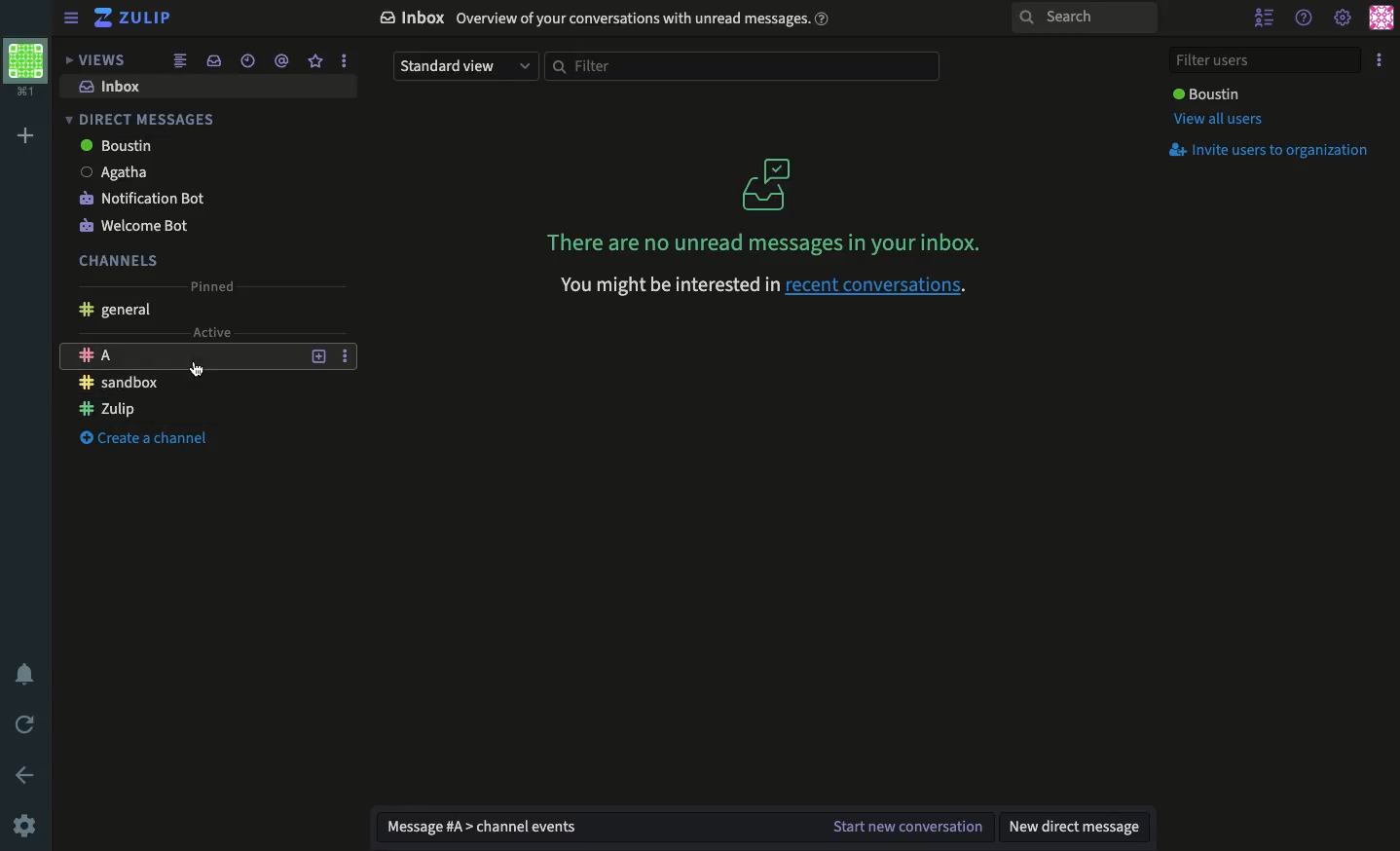  Describe the element at coordinates (136, 19) in the screenshot. I see `Zulip` at that location.